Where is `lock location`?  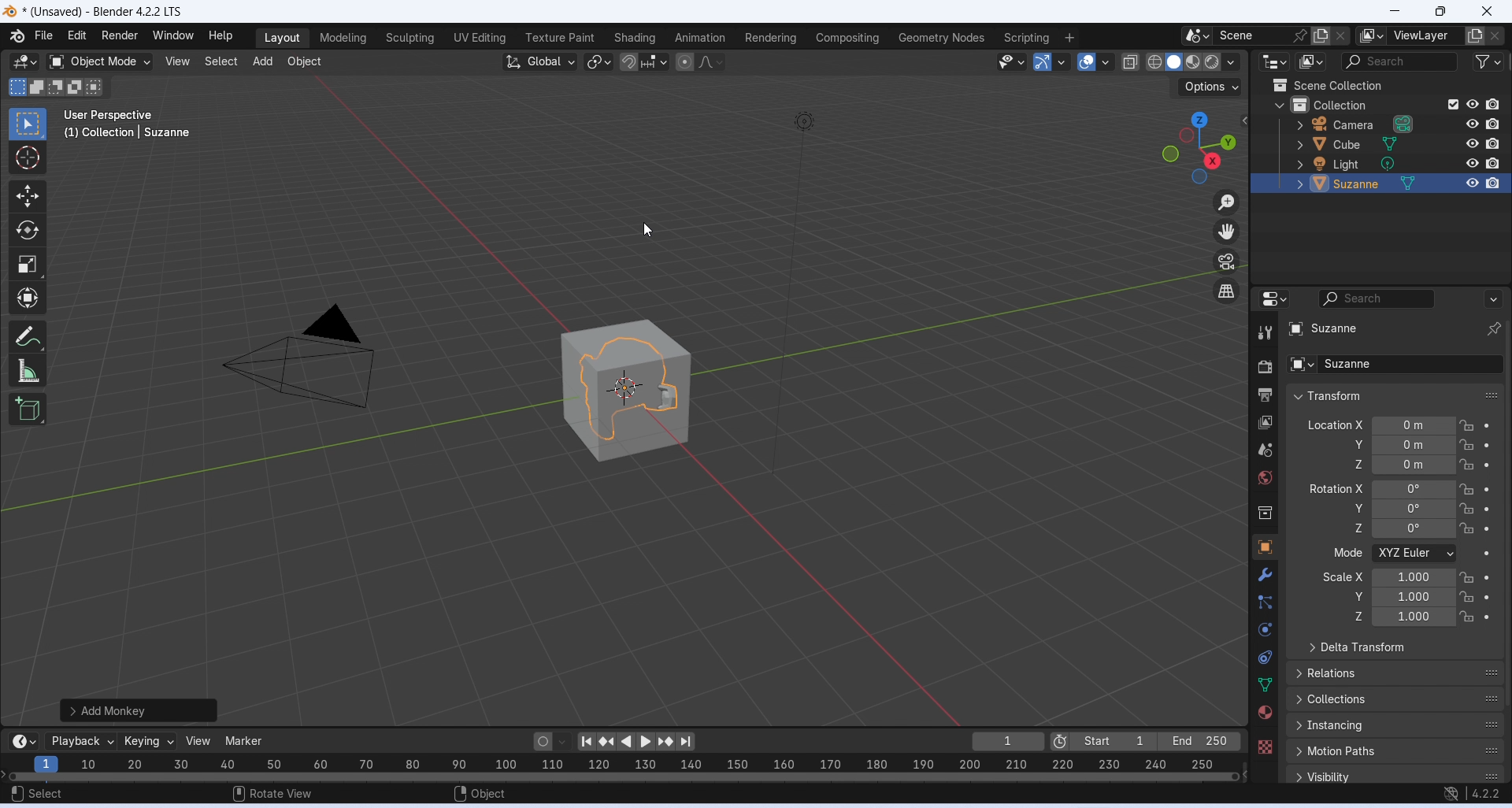 lock location is located at coordinates (1467, 464).